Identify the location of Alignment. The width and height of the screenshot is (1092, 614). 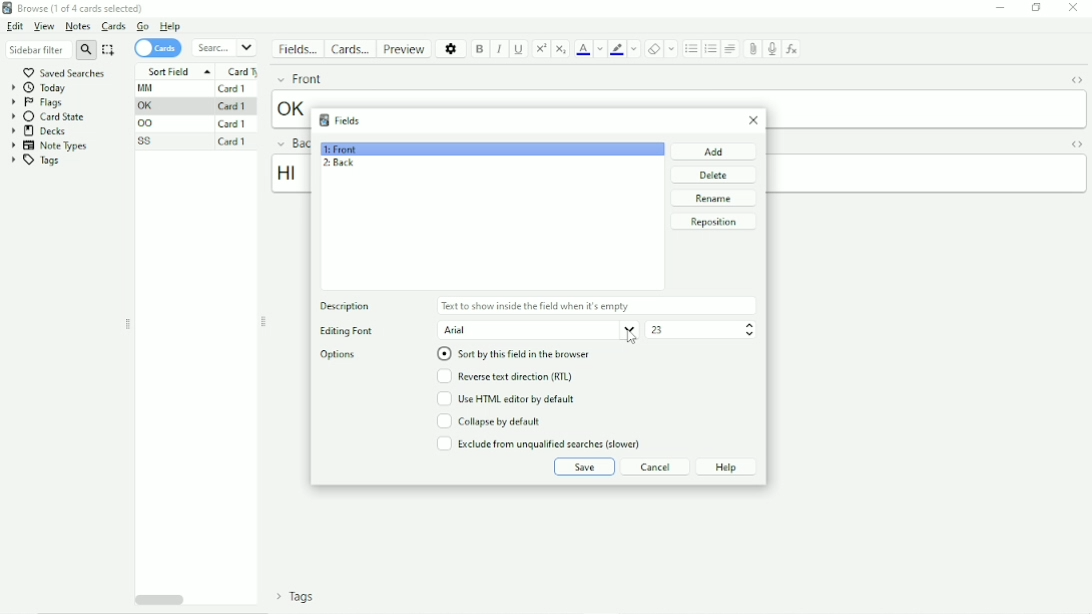
(730, 49).